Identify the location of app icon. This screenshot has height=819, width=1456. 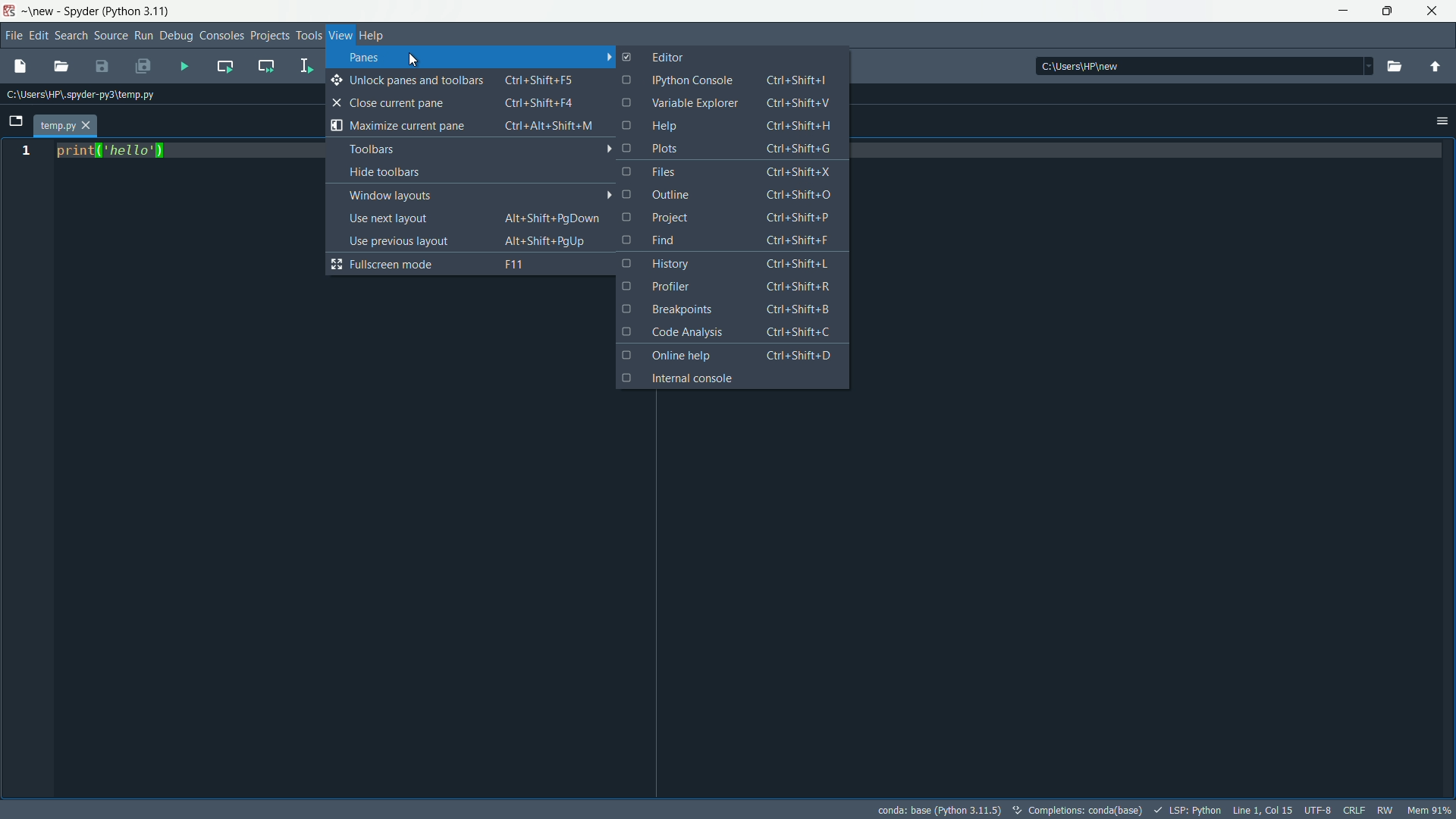
(9, 11).